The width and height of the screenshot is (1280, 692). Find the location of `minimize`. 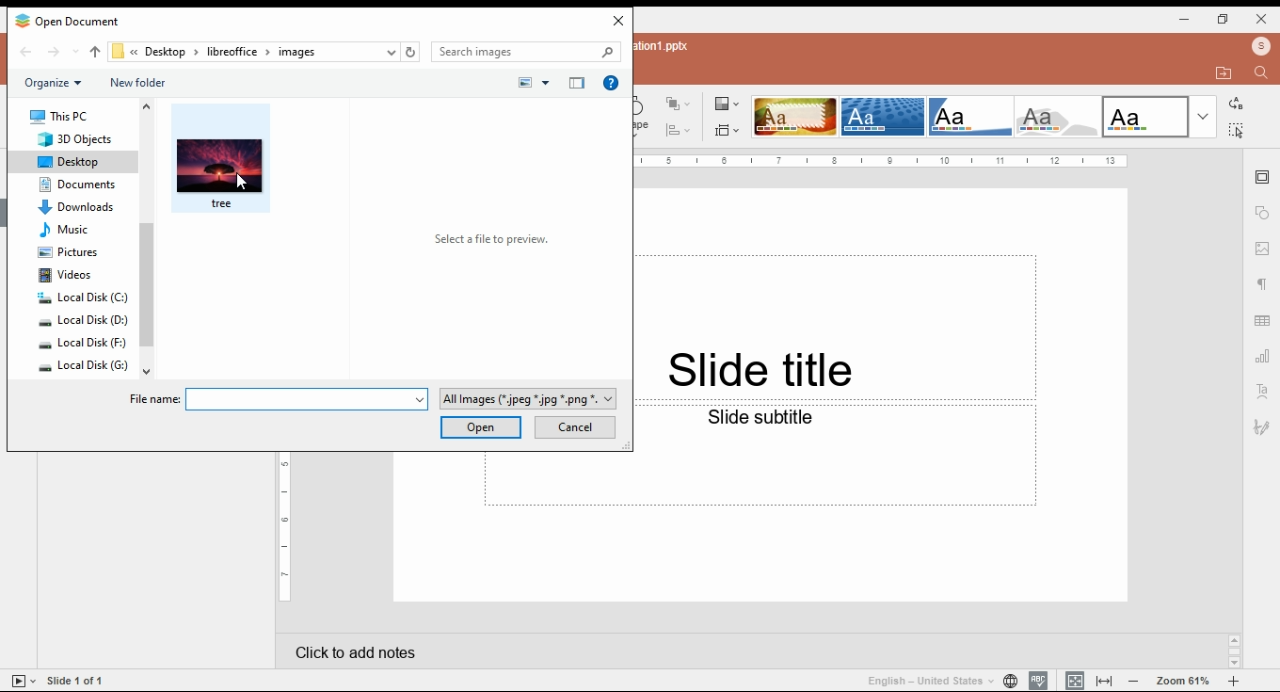

minimize is located at coordinates (1185, 20).